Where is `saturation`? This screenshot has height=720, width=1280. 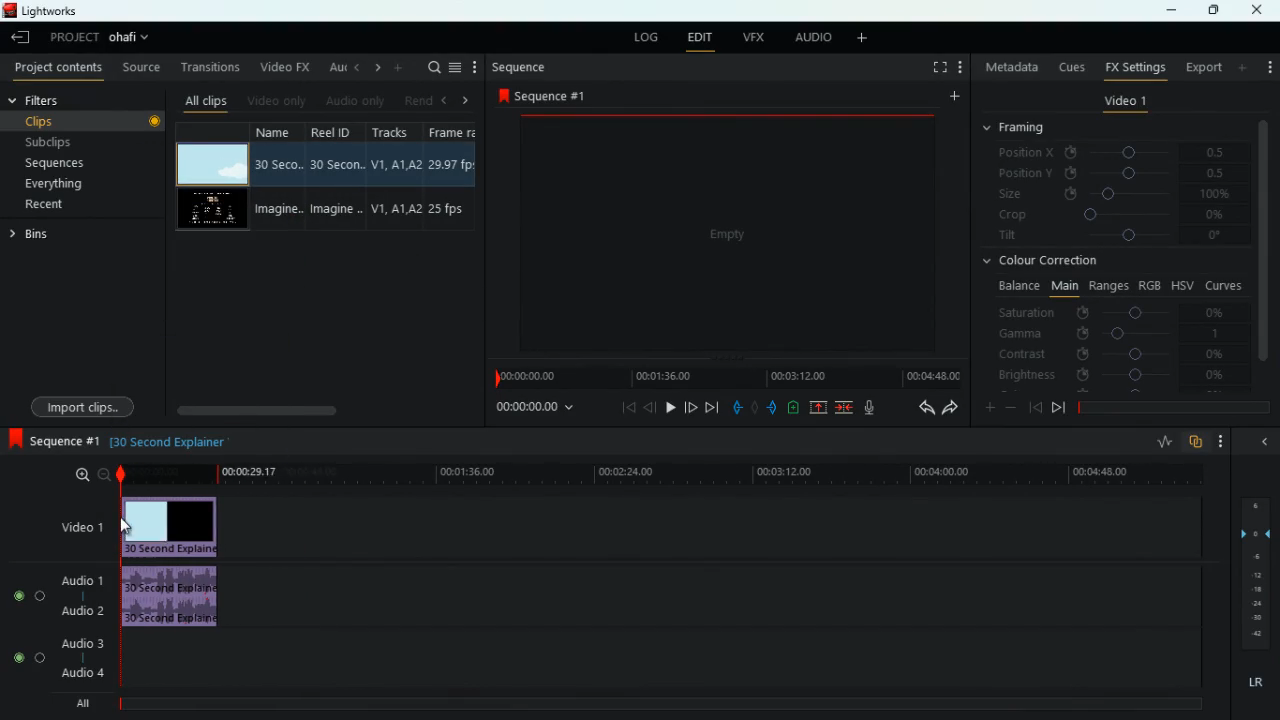 saturation is located at coordinates (1113, 314).